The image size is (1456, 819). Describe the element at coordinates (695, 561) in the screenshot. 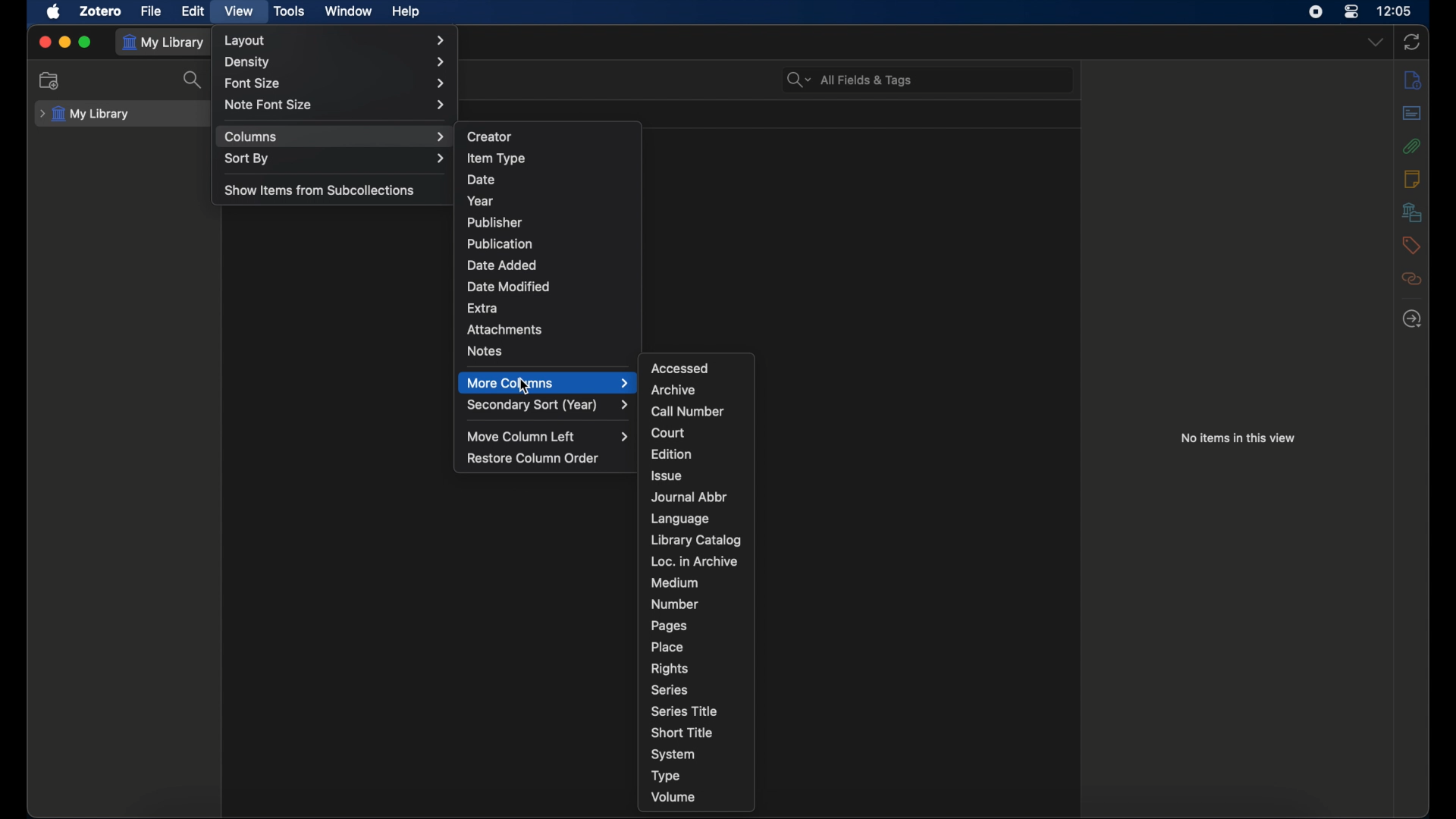

I see `loc. in archive` at that location.